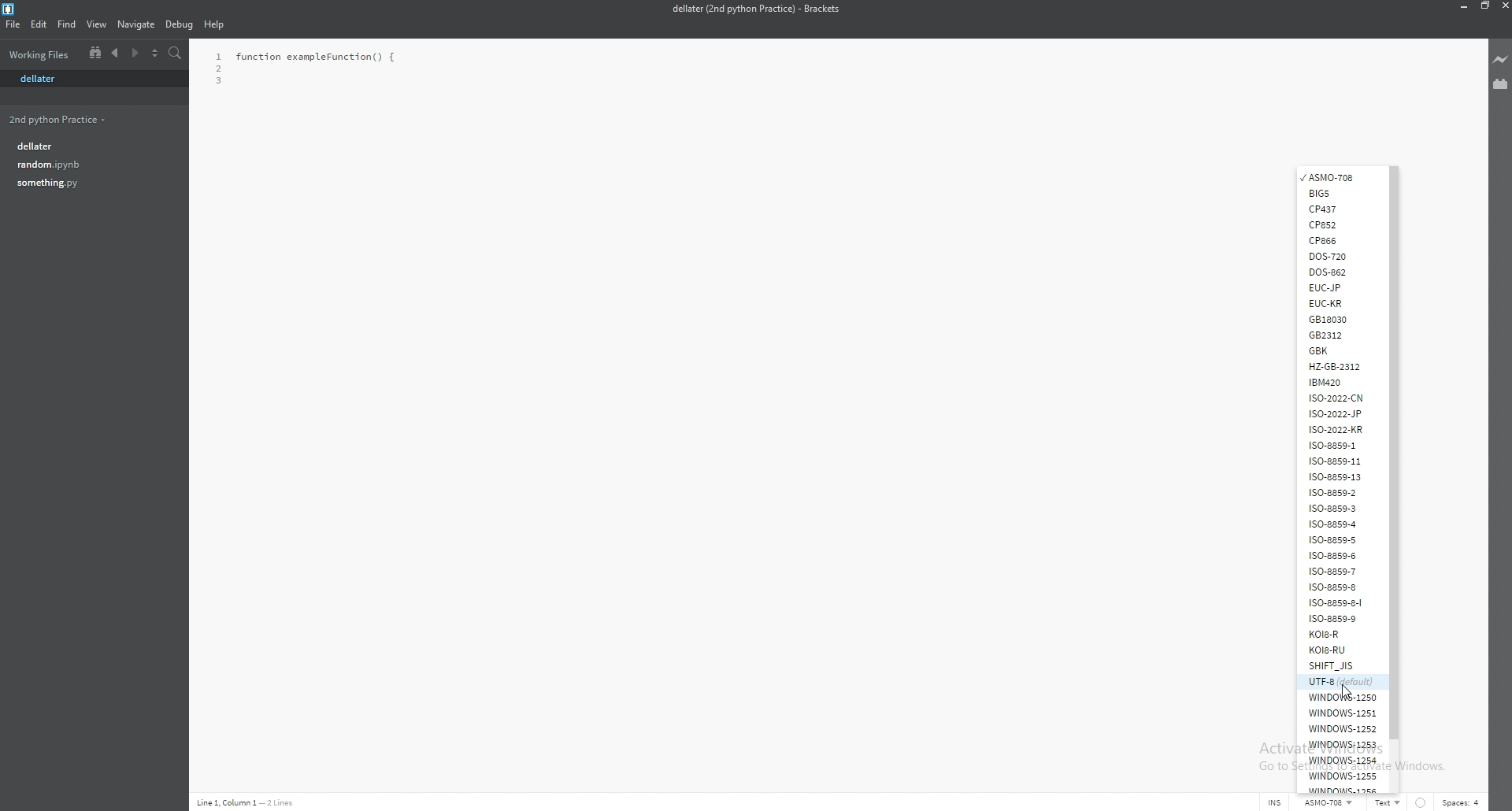 This screenshot has width=1512, height=811. Describe the element at coordinates (1343, 697) in the screenshot. I see `windows-1250` at that location.